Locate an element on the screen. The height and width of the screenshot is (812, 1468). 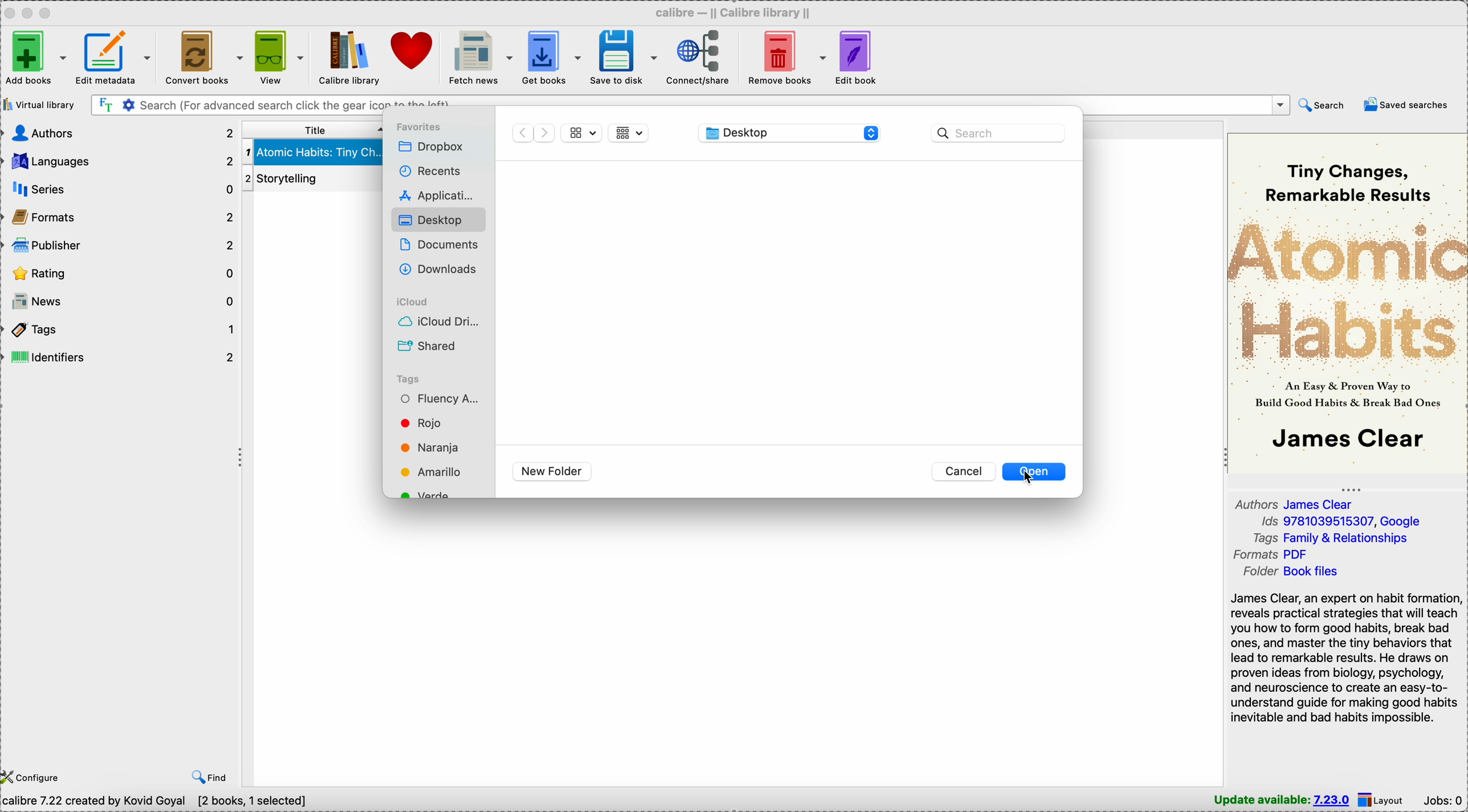
Calibre library is located at coordinates (349, 56).